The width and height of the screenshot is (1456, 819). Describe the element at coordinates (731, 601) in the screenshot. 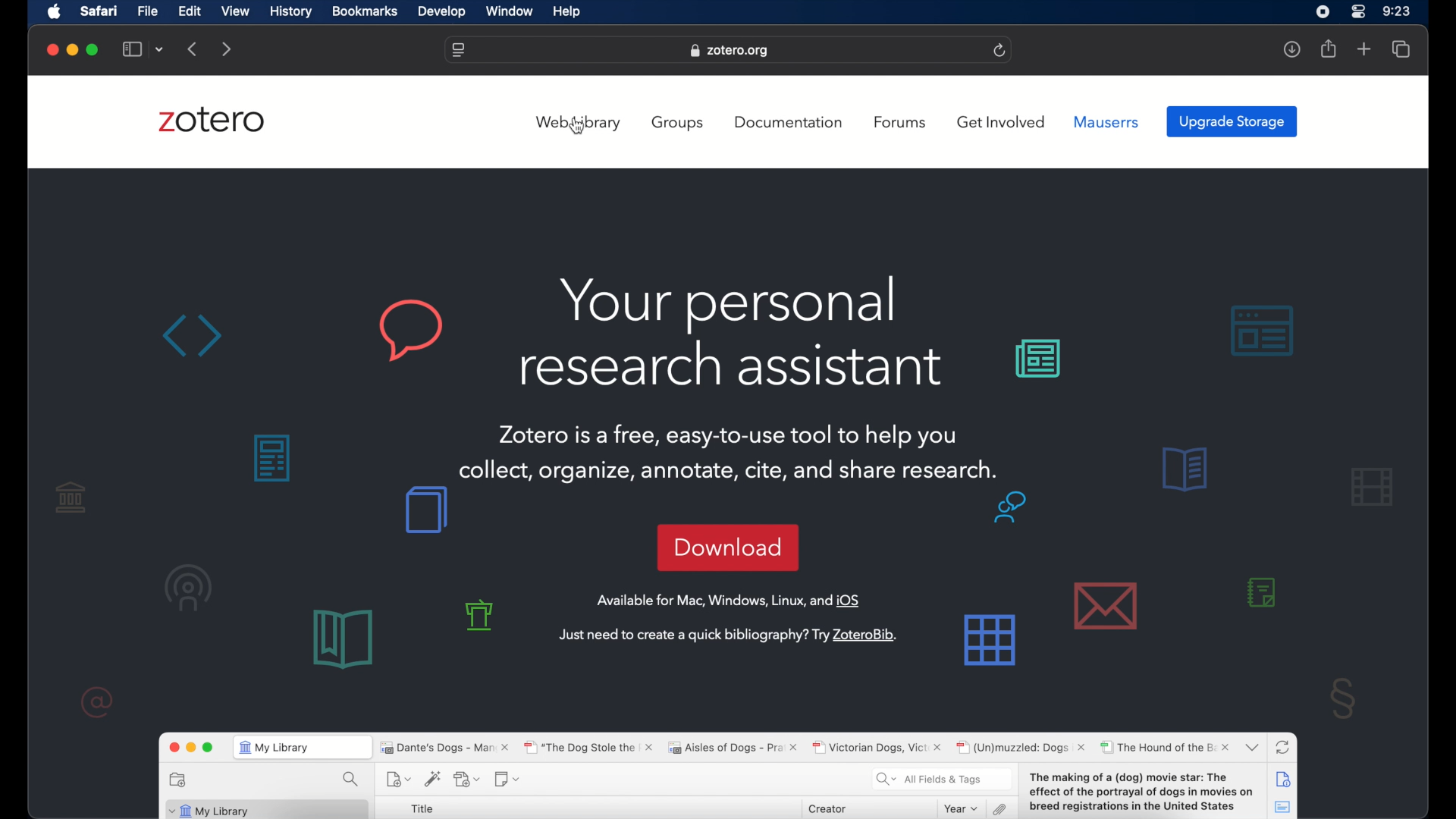

I see `Available for Mac, windows, linux, and iOS` at that location.